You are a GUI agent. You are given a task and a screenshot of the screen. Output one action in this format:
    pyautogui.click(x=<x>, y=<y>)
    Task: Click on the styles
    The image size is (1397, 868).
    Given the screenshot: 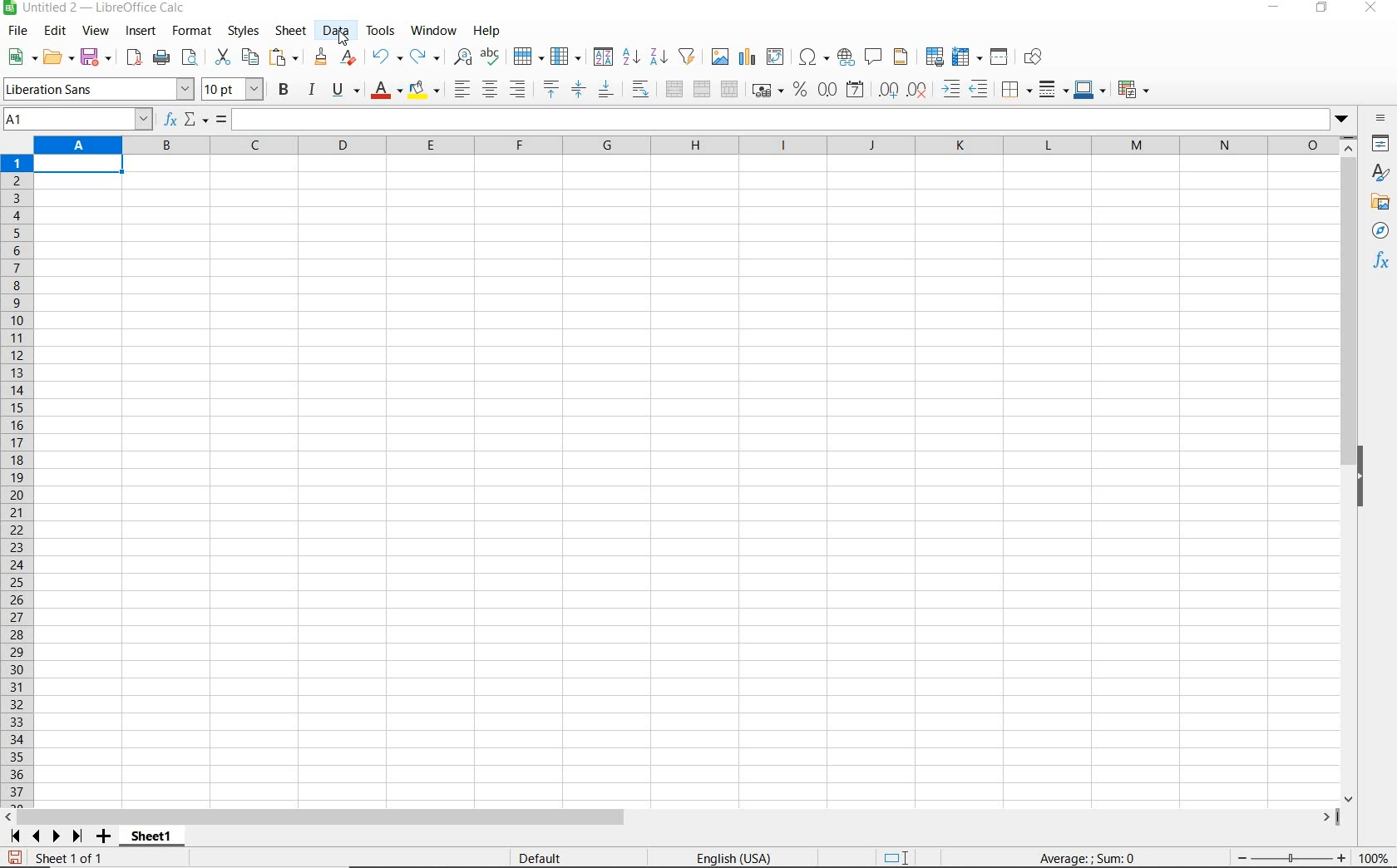 What is the action you would take?
    pyautogui.click(x=242, y=32)
    